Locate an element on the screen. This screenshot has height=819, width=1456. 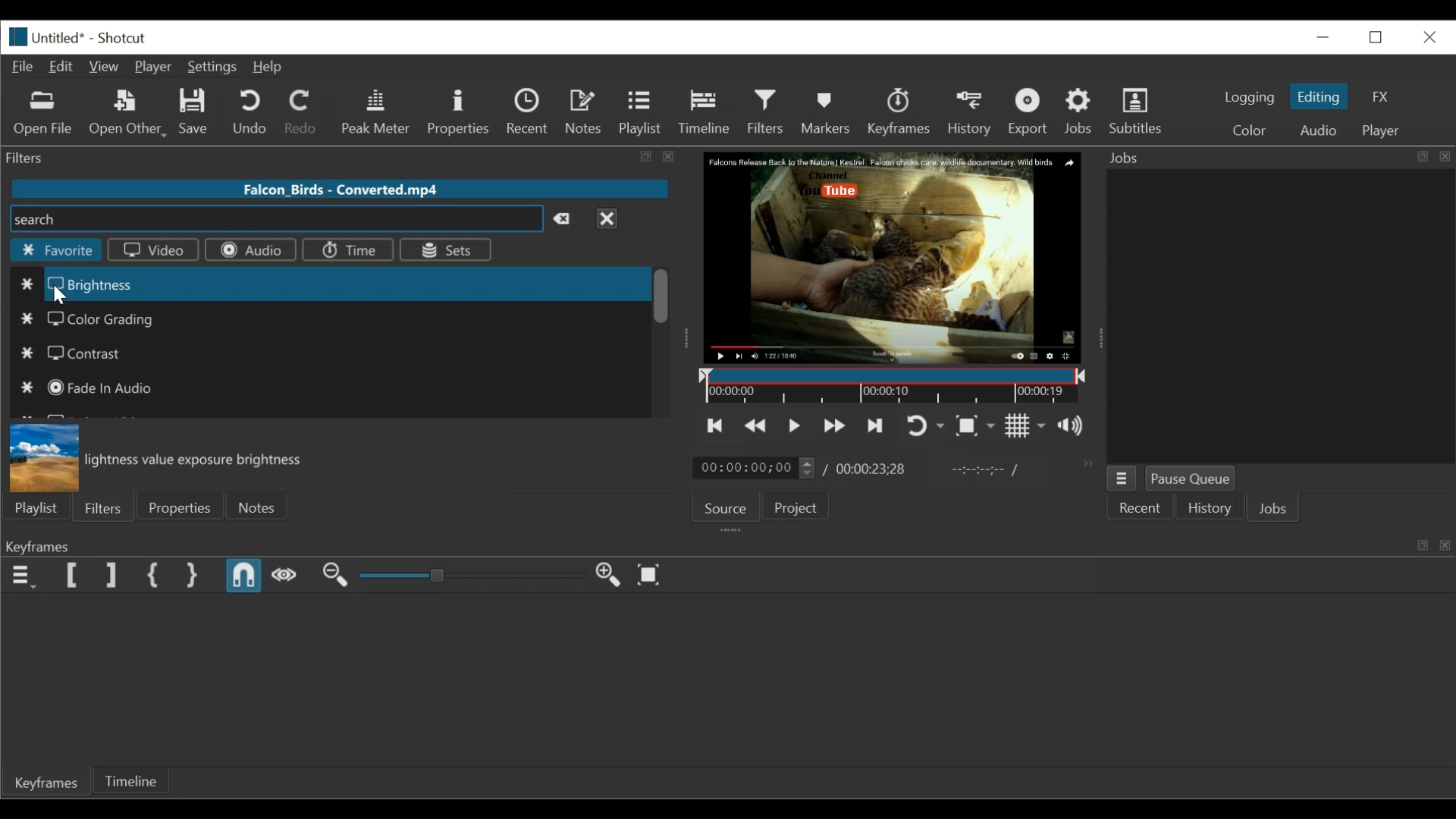
Properties is located at coordinates (183, 507).